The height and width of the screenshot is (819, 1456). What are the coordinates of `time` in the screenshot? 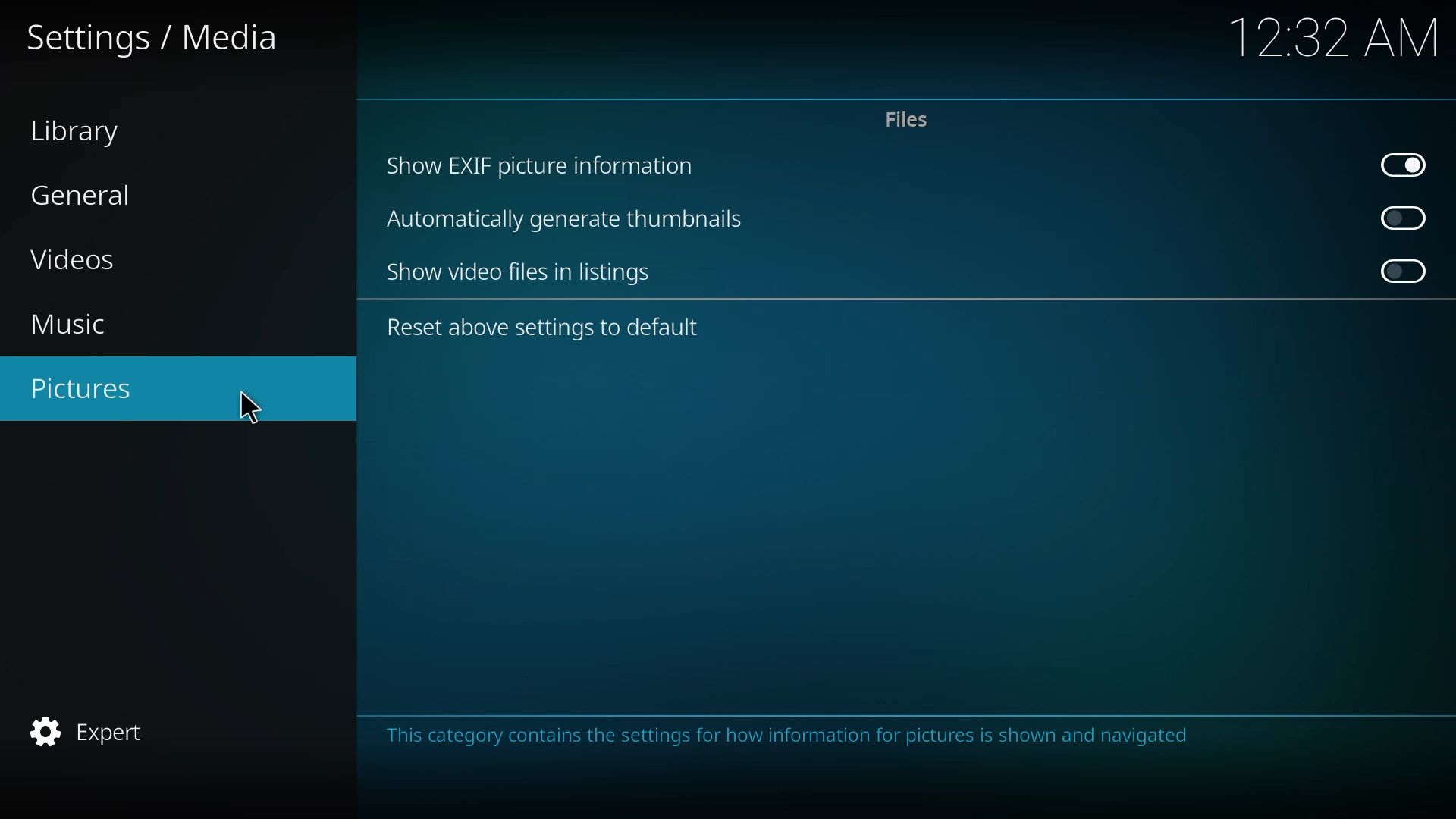 It's located at (1338, 36).